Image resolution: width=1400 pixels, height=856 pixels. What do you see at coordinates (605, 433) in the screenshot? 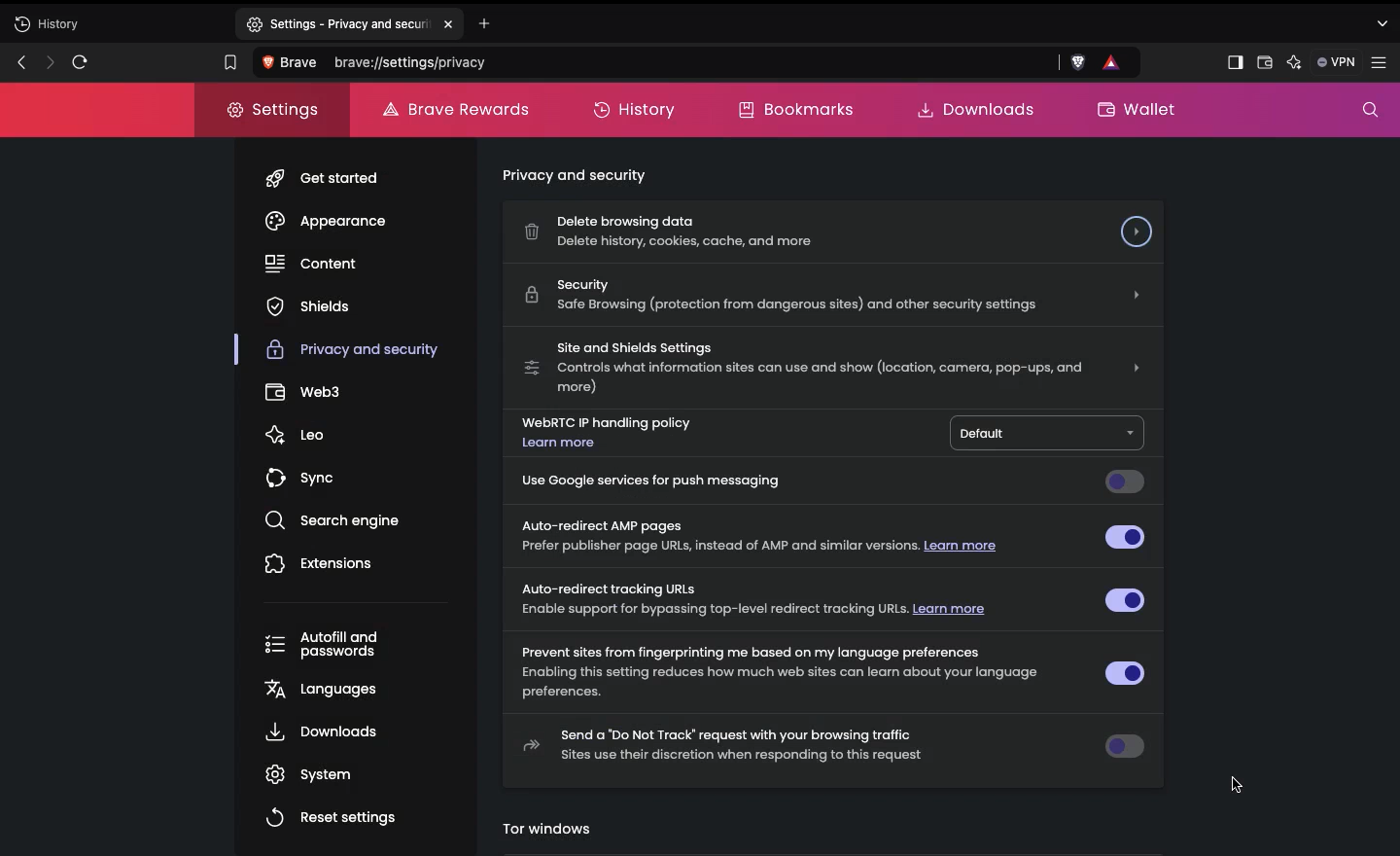
I see `WebRTC IP handling policy. Learn more` at bounding box center [605, 433].